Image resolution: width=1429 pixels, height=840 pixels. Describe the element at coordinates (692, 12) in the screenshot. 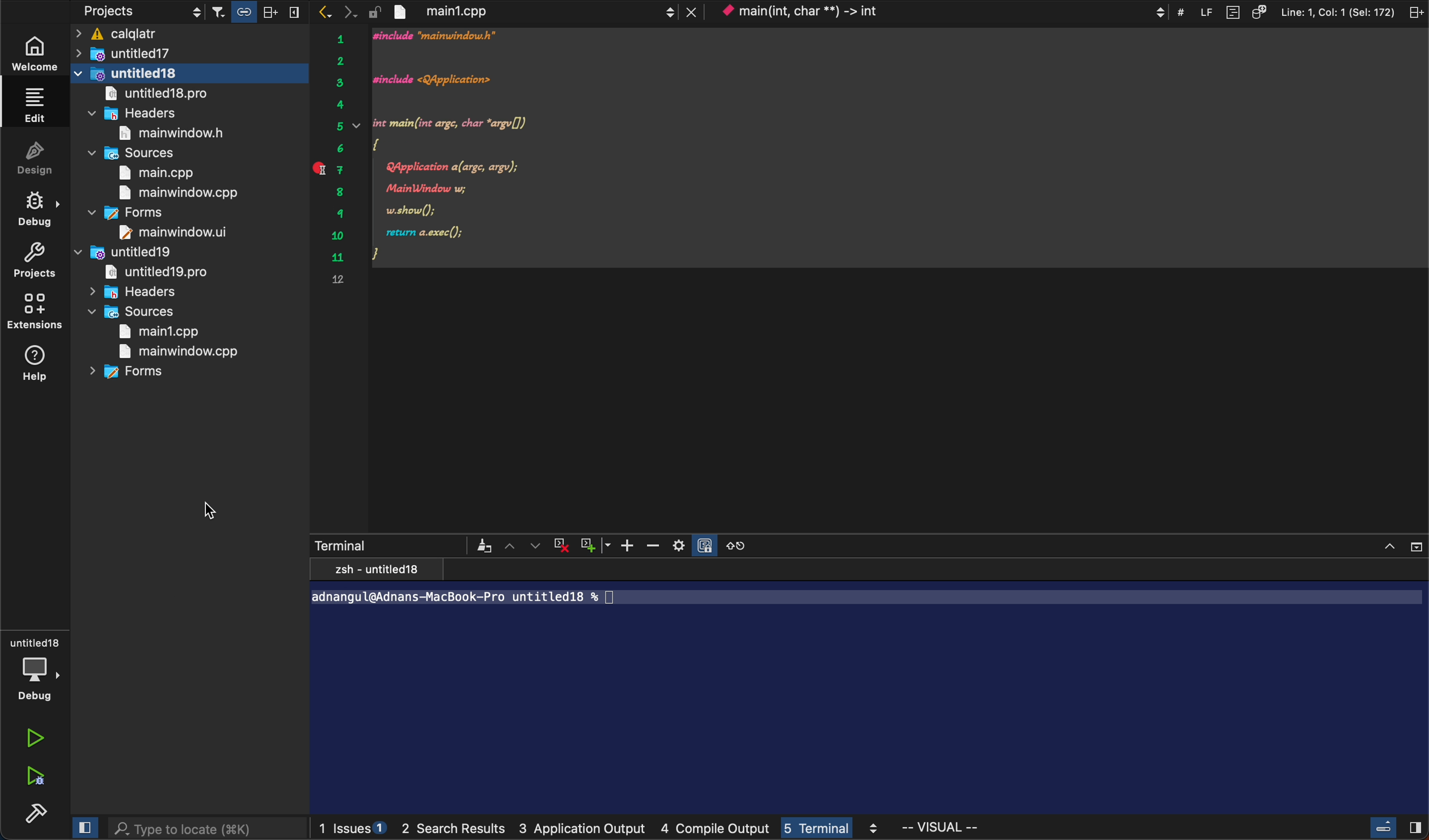

I see `lose tab` at that location.